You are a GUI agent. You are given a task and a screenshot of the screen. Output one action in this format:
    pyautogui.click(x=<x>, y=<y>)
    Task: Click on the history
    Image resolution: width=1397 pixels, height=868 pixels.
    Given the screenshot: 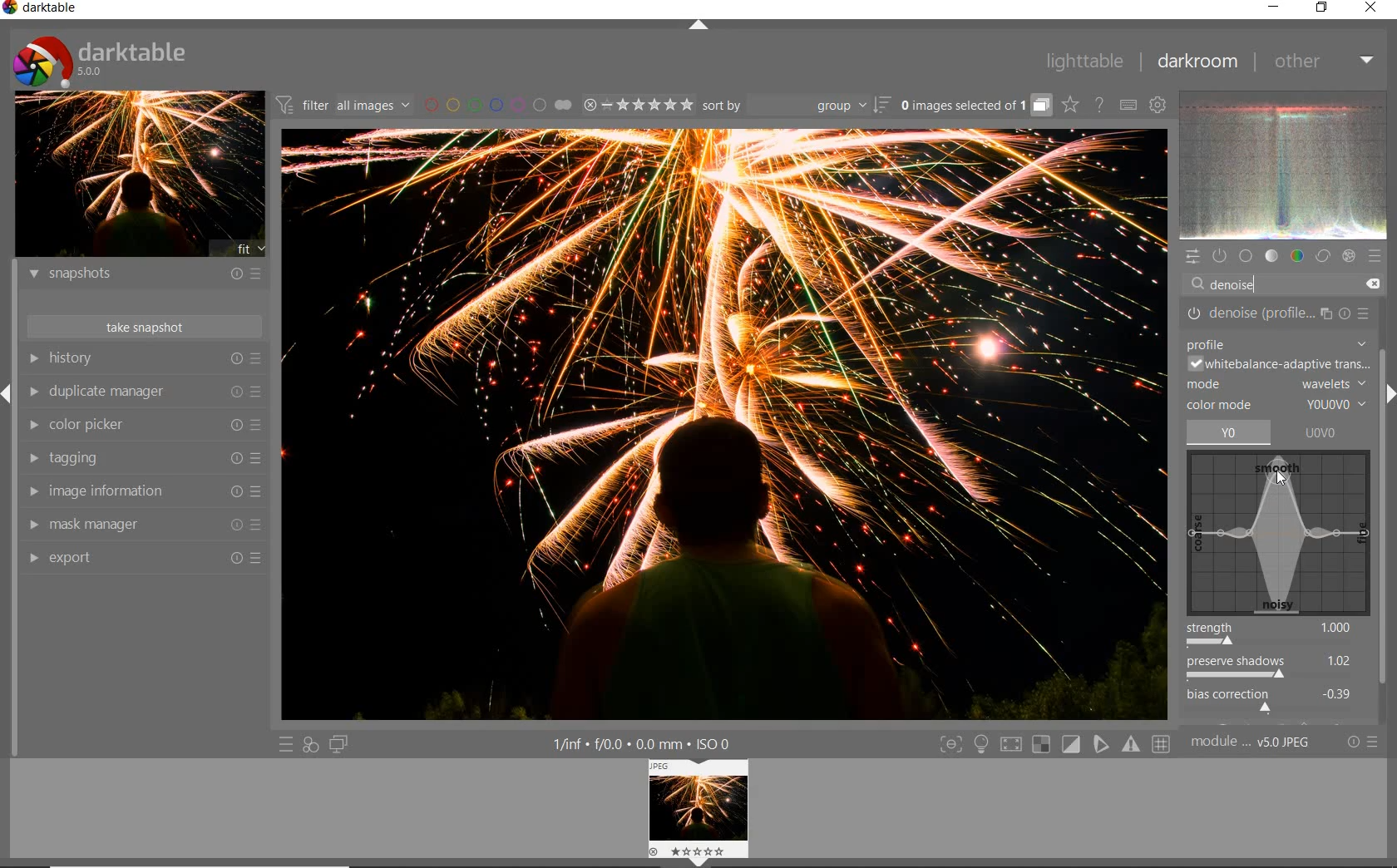 What is the action you would take?
    pyautogui.click(x=146, y=360)
    